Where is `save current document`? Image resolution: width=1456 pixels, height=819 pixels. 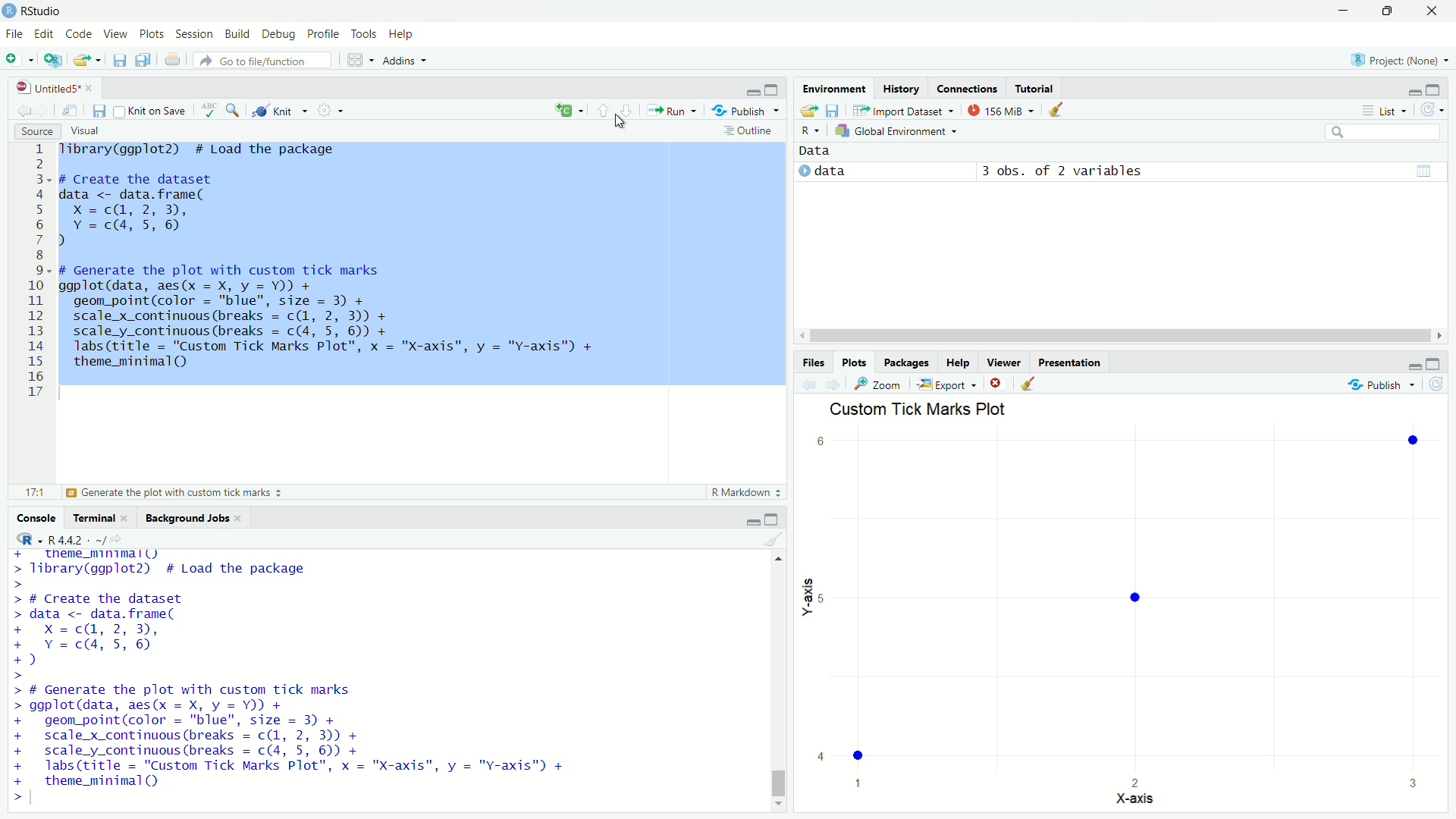
save current document is located at coordinates (120, 60).